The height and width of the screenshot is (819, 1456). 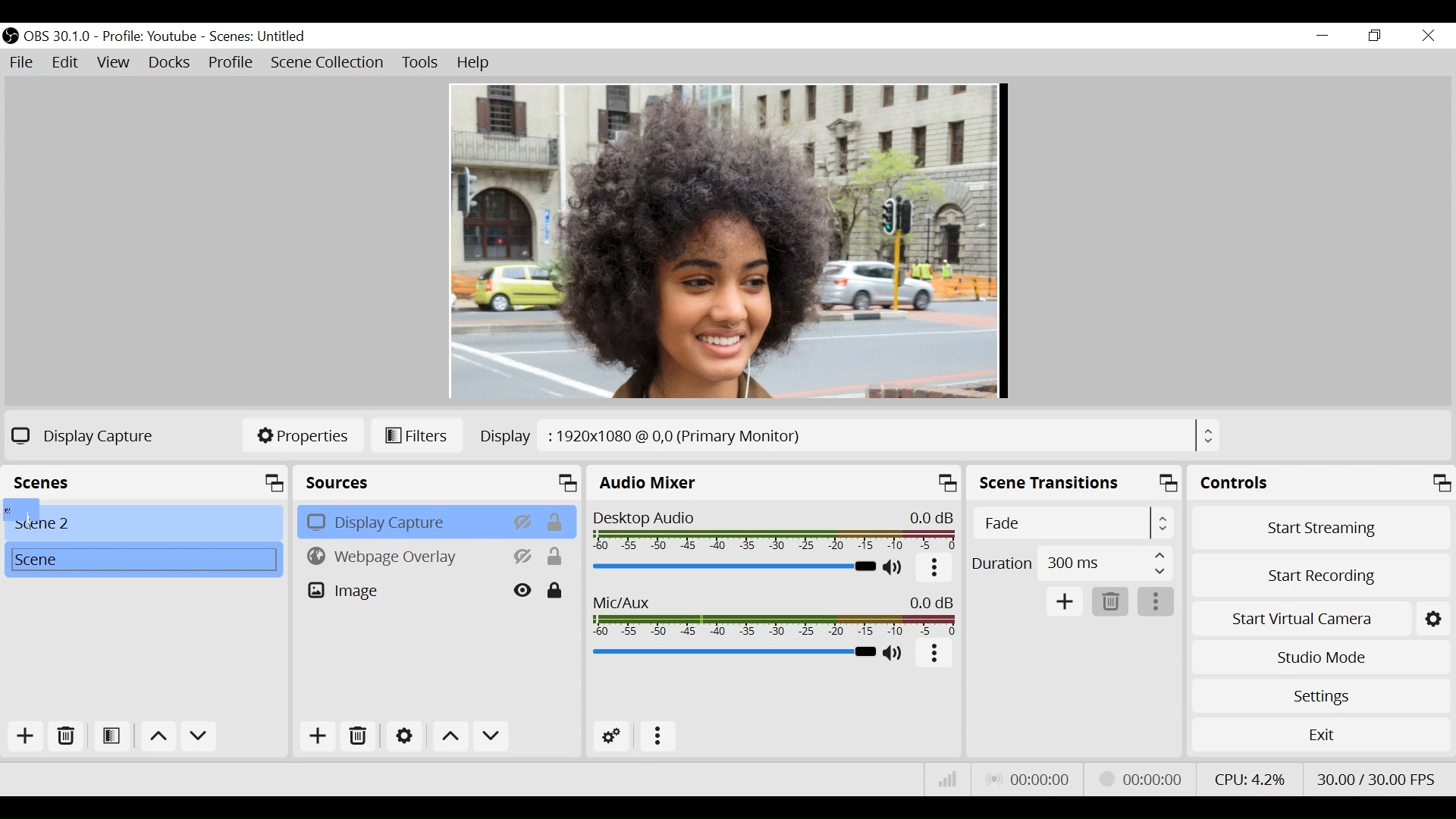 I want to click on Desktop Audio Slider, so click(x=735, y=568).